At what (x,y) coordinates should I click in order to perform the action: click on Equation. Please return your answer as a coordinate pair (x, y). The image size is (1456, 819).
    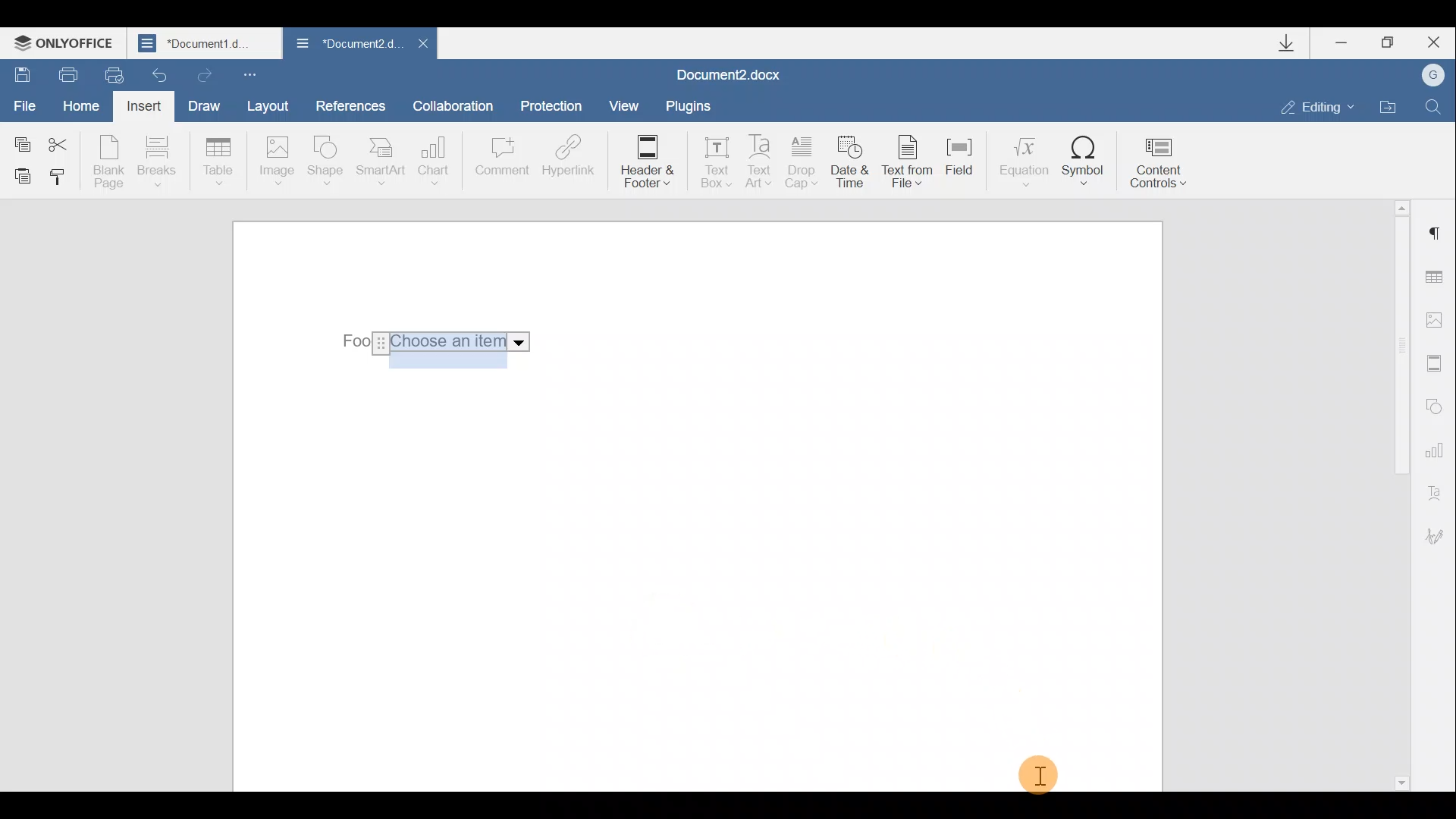
    Looking at the image, I should click on (1022, 158).